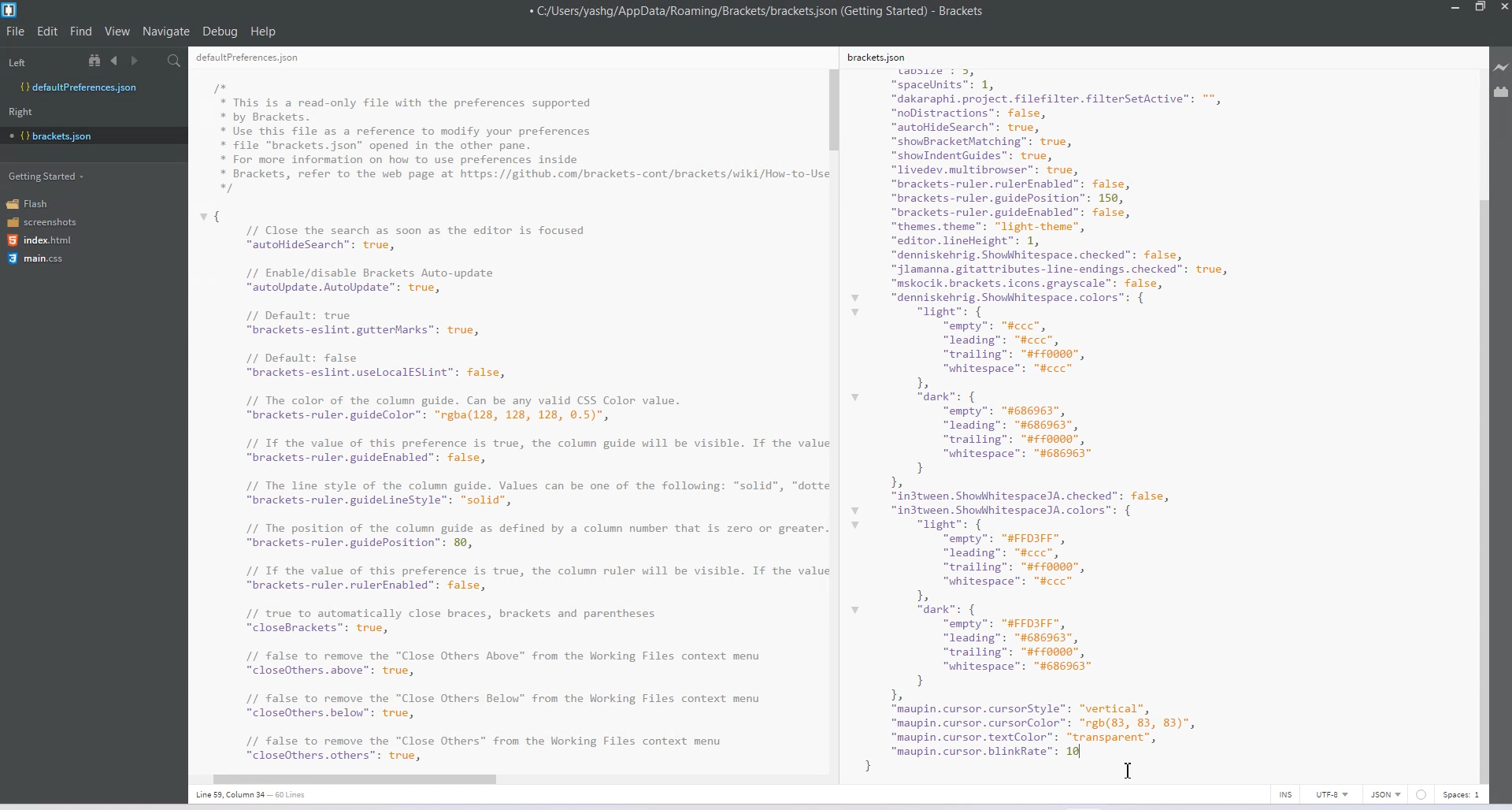 The image size is (1512, 810). Describe the element at coordinates (11, 10) in the screenshot. I see `Logo` at that location.